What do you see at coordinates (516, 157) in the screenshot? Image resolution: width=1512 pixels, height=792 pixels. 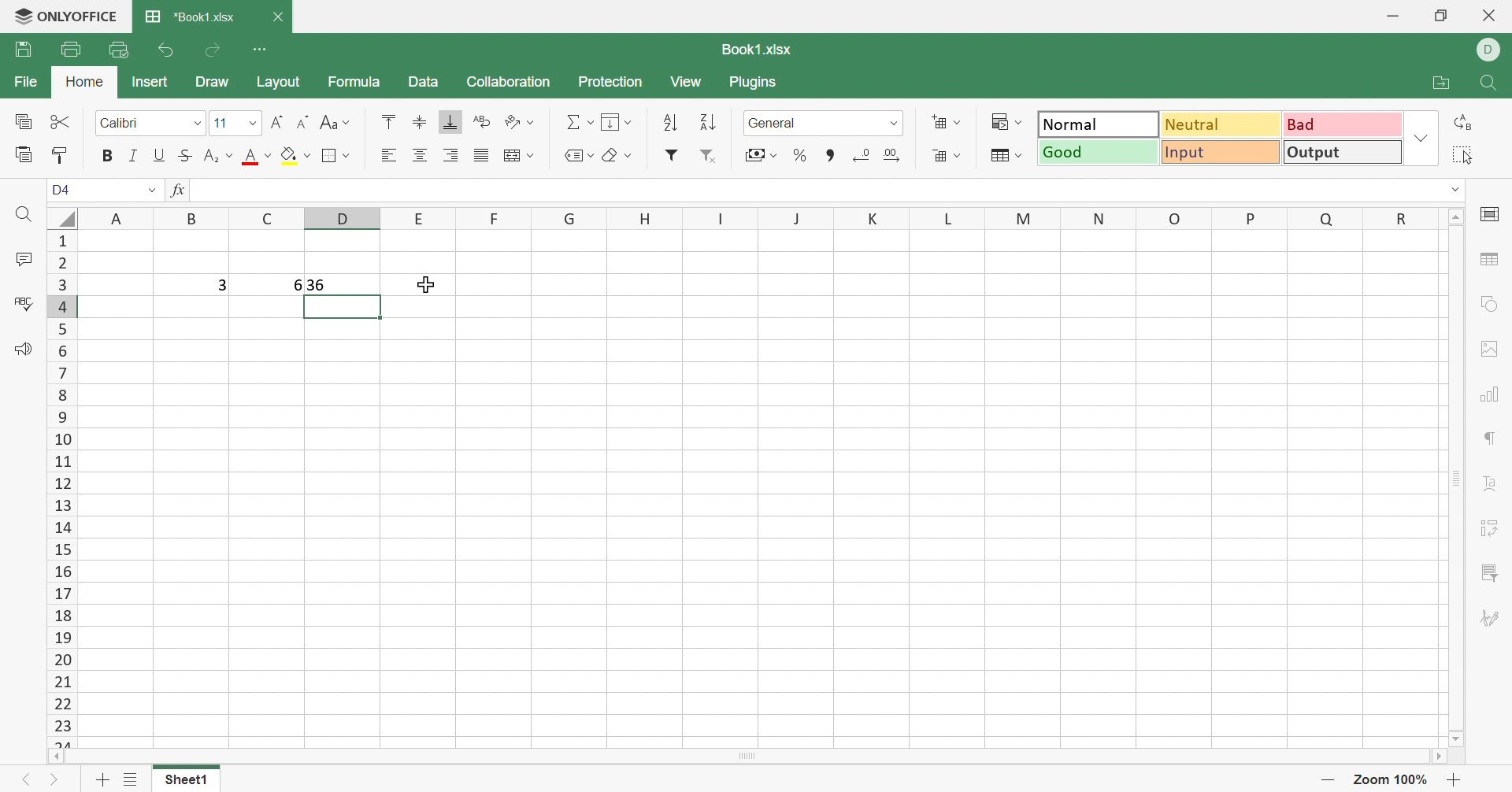 I see `Merge & center` at bounding box center [516, 157].